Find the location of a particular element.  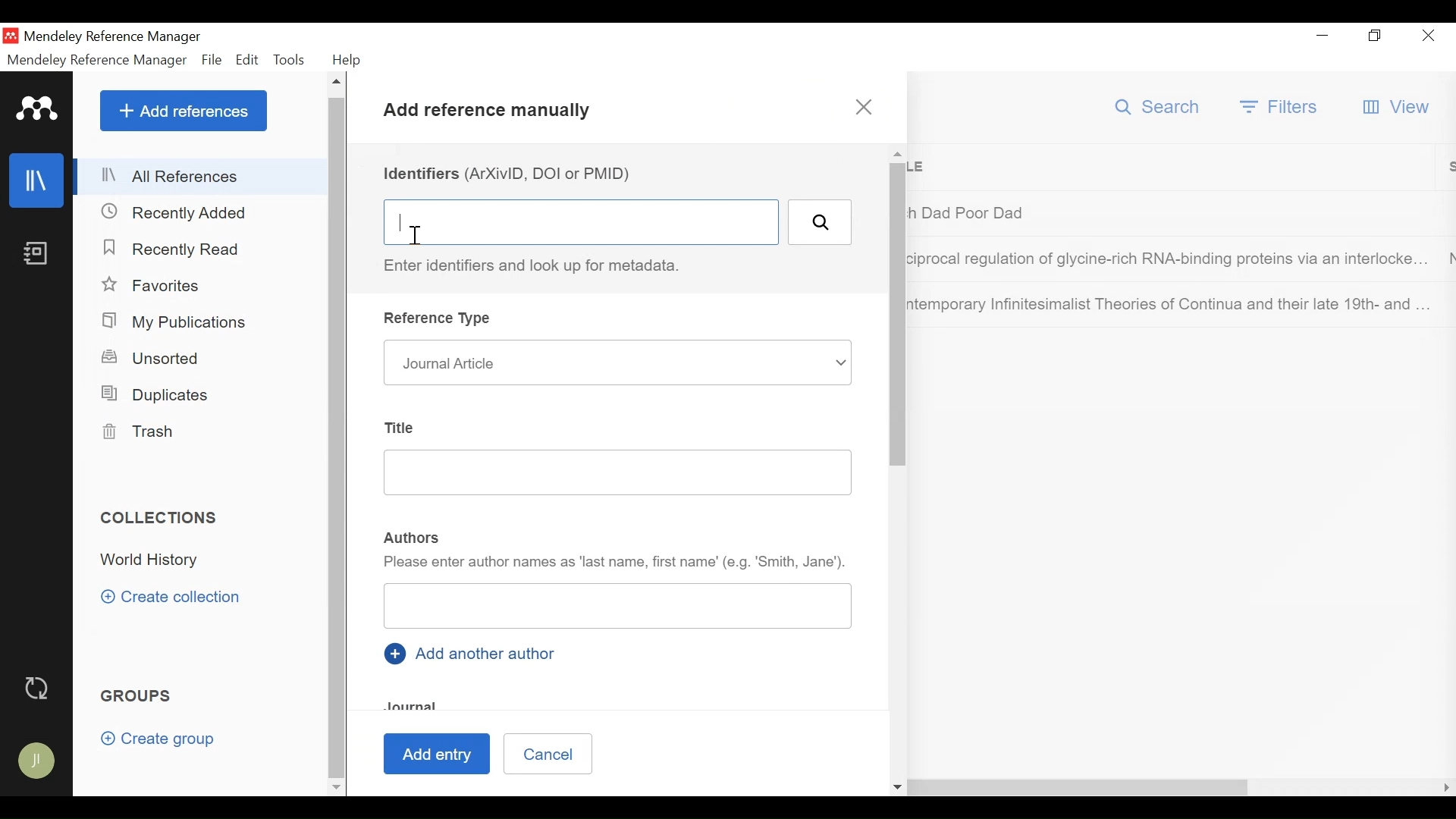

Vertical Scroll Bar is located at coordinates (899, 315).